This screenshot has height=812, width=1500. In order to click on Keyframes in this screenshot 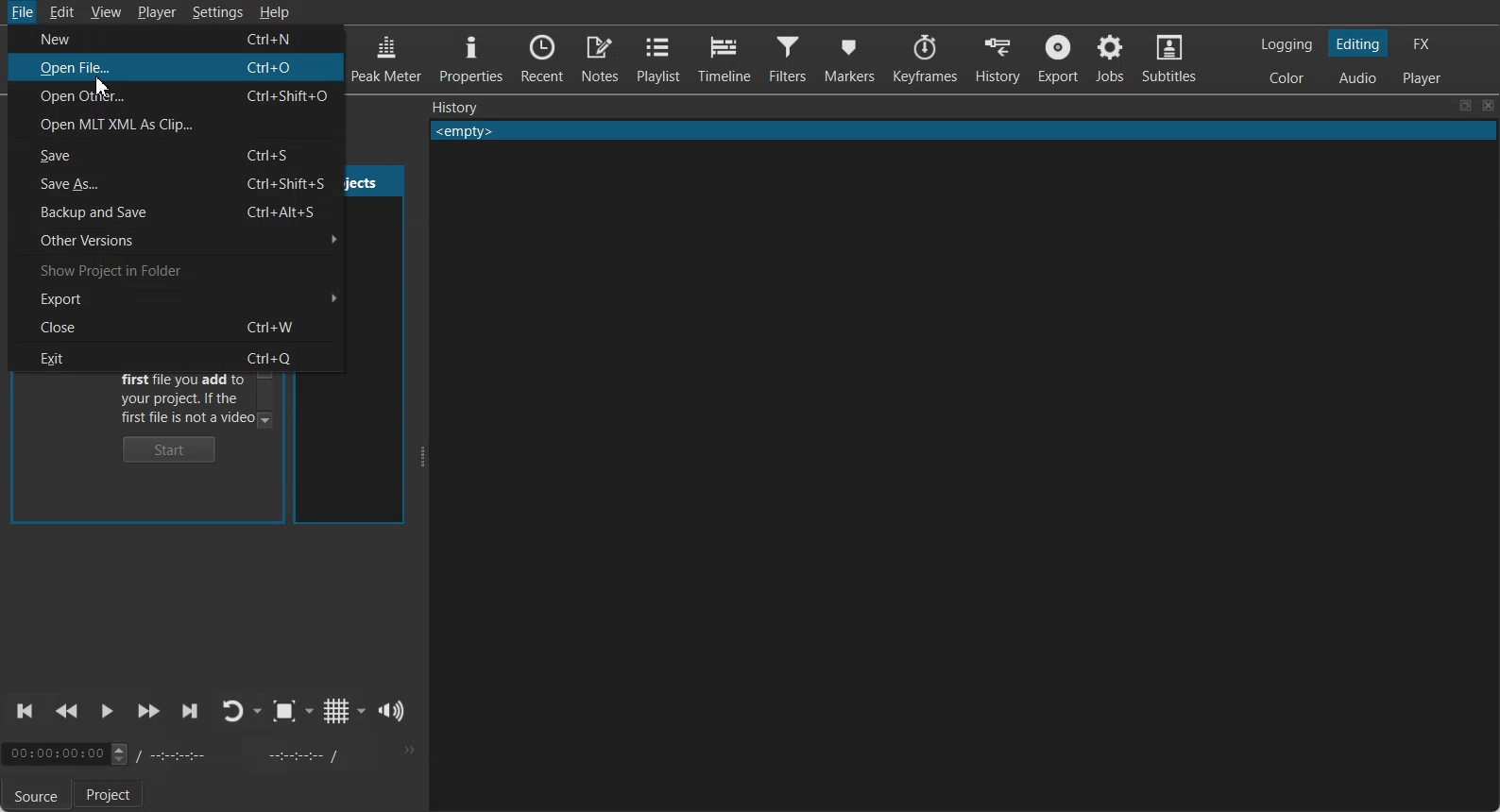, I will do `click(927, 59)`.